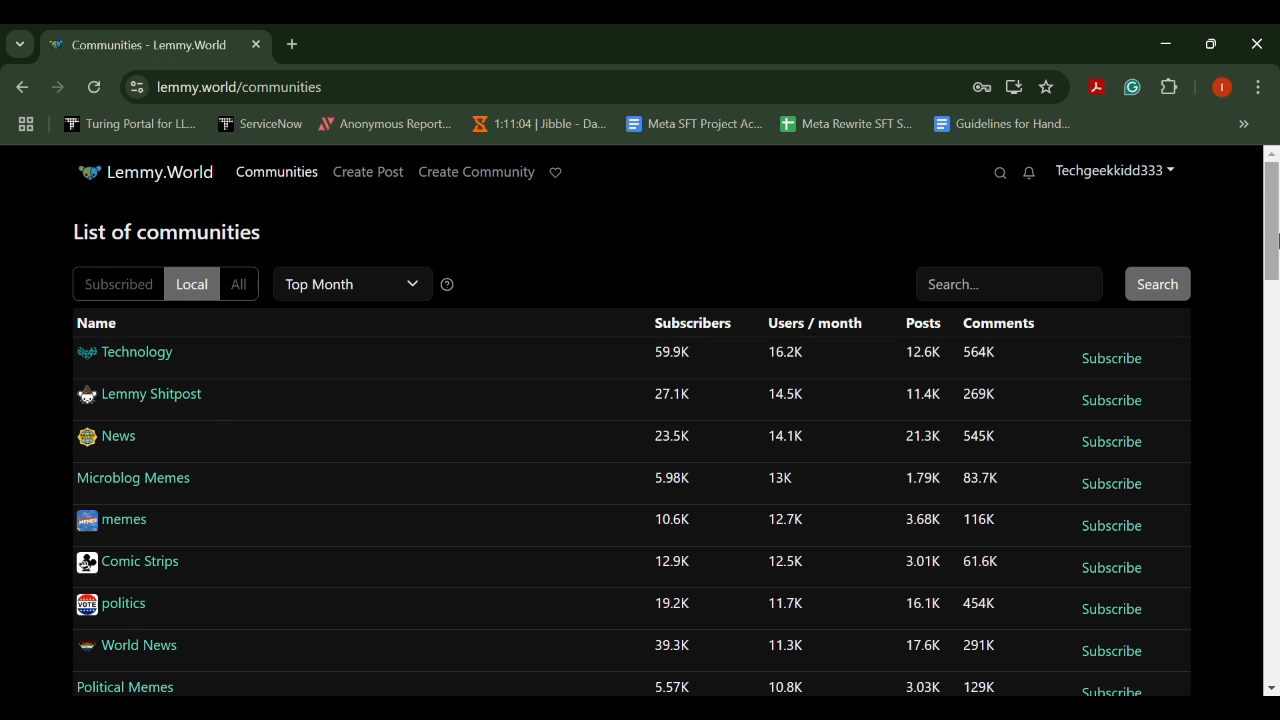  Describe the element at coordinates (675, 519) in the screenshot. I see `10.6K` at that location.